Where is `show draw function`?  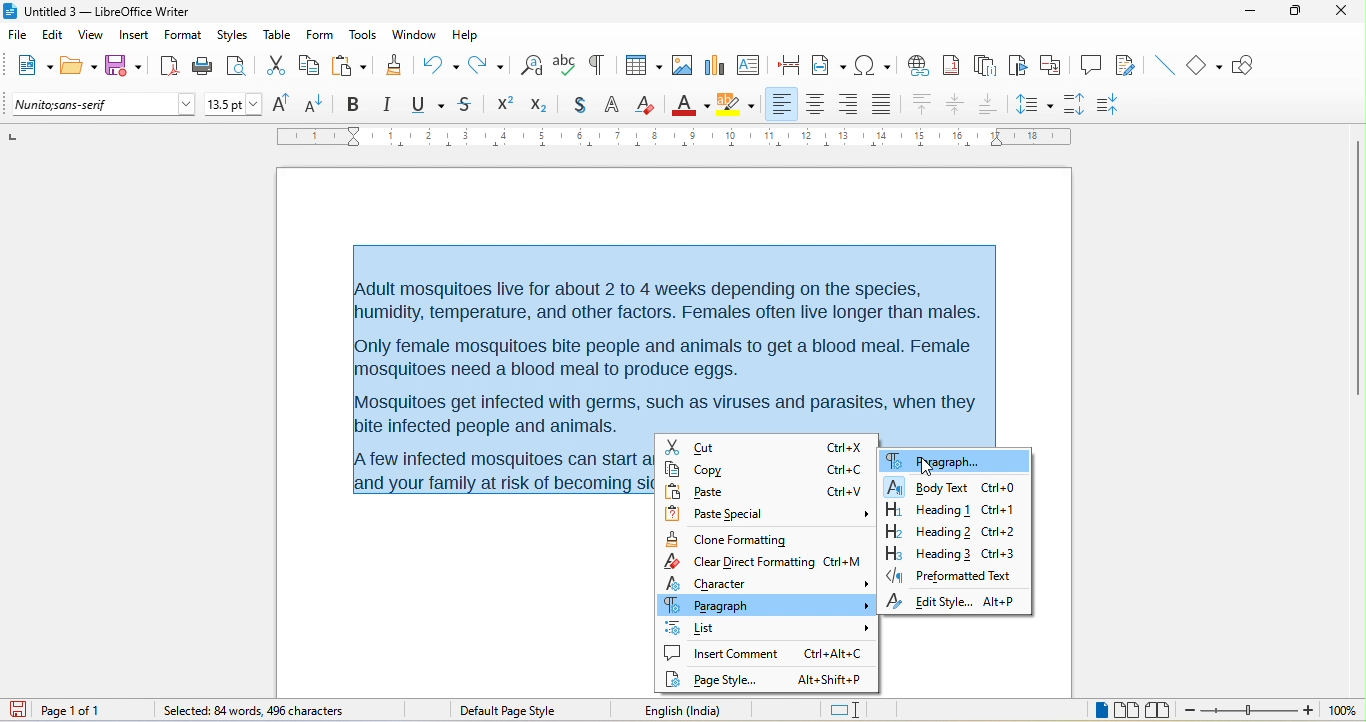
show draw function is located at coordinates (1250, 65).